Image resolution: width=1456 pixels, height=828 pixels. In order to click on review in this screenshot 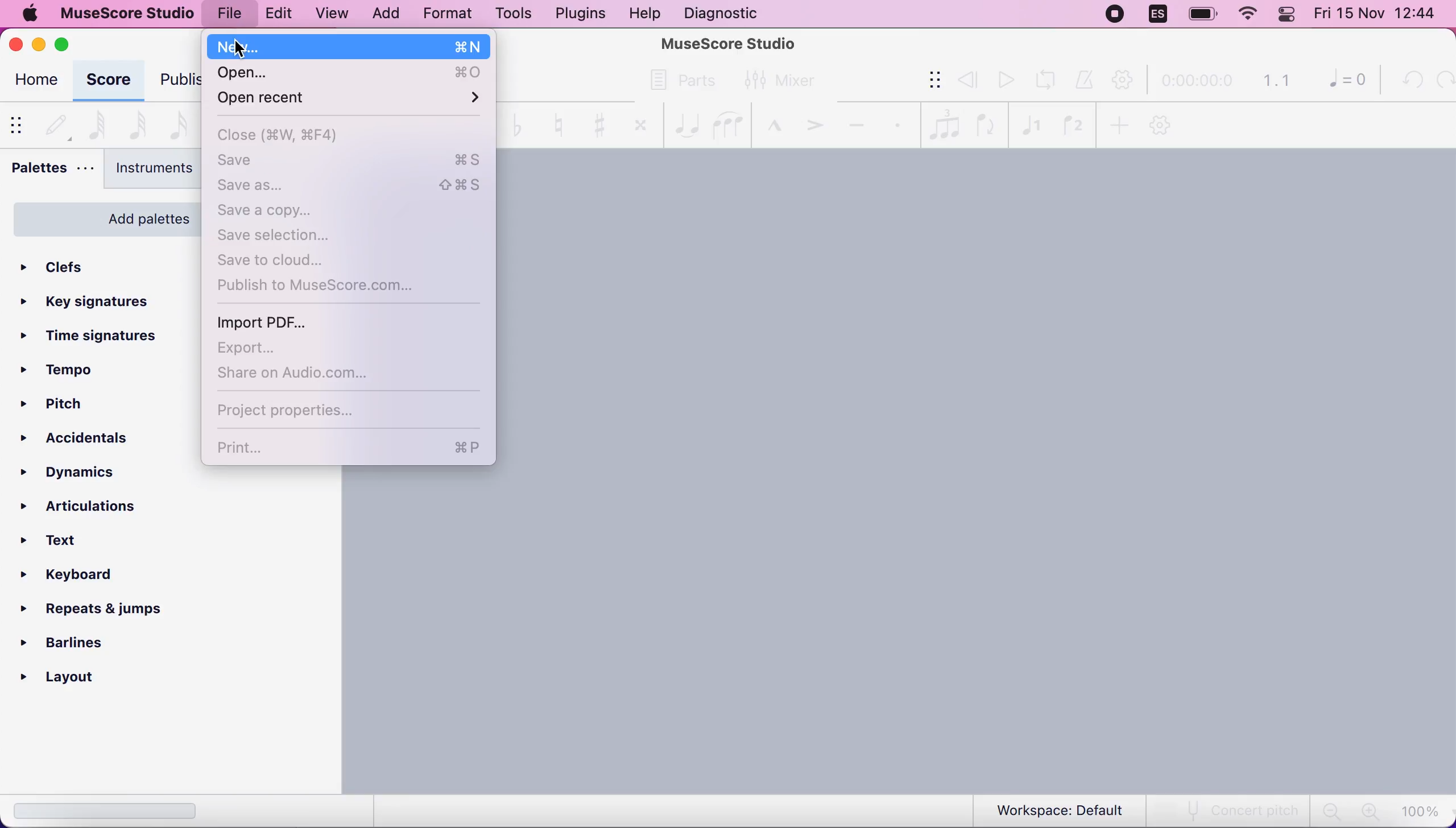, I will do `click(968, 79)`.